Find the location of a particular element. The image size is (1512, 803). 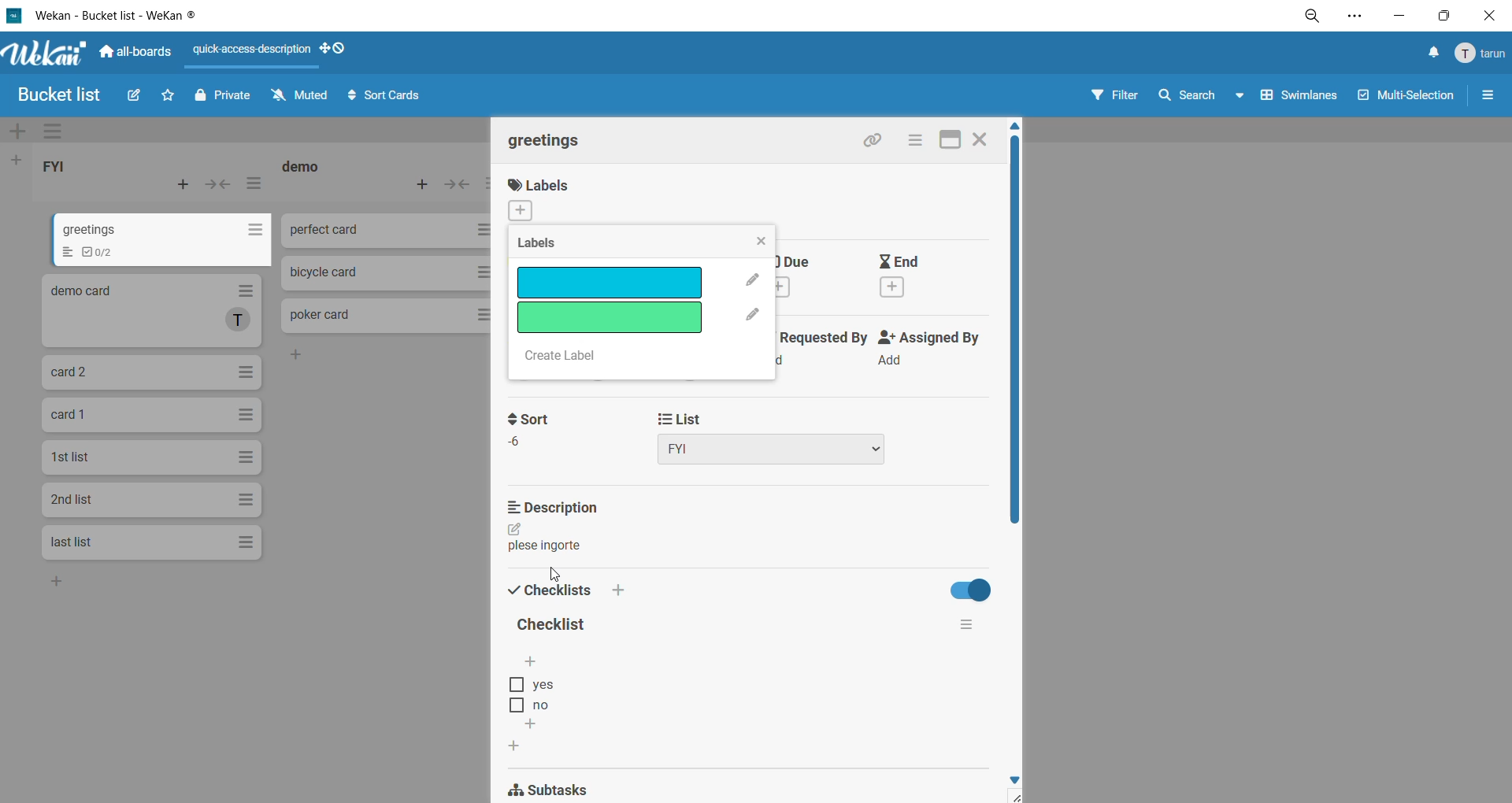

maximize is located at coordinates (949, 140).